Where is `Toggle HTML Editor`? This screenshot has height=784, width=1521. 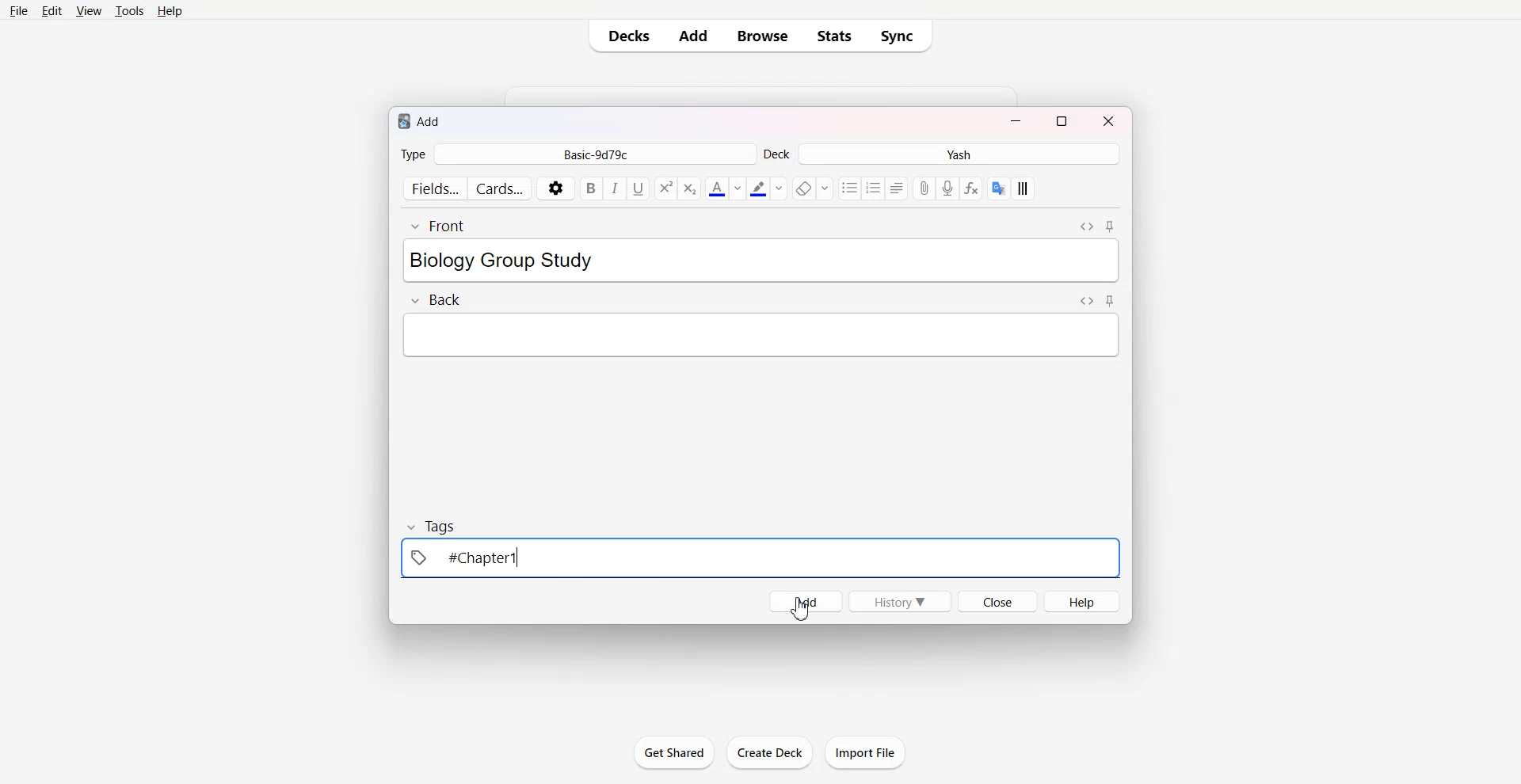
Toggle HTML Editor is located at coordinates (1087, 226).